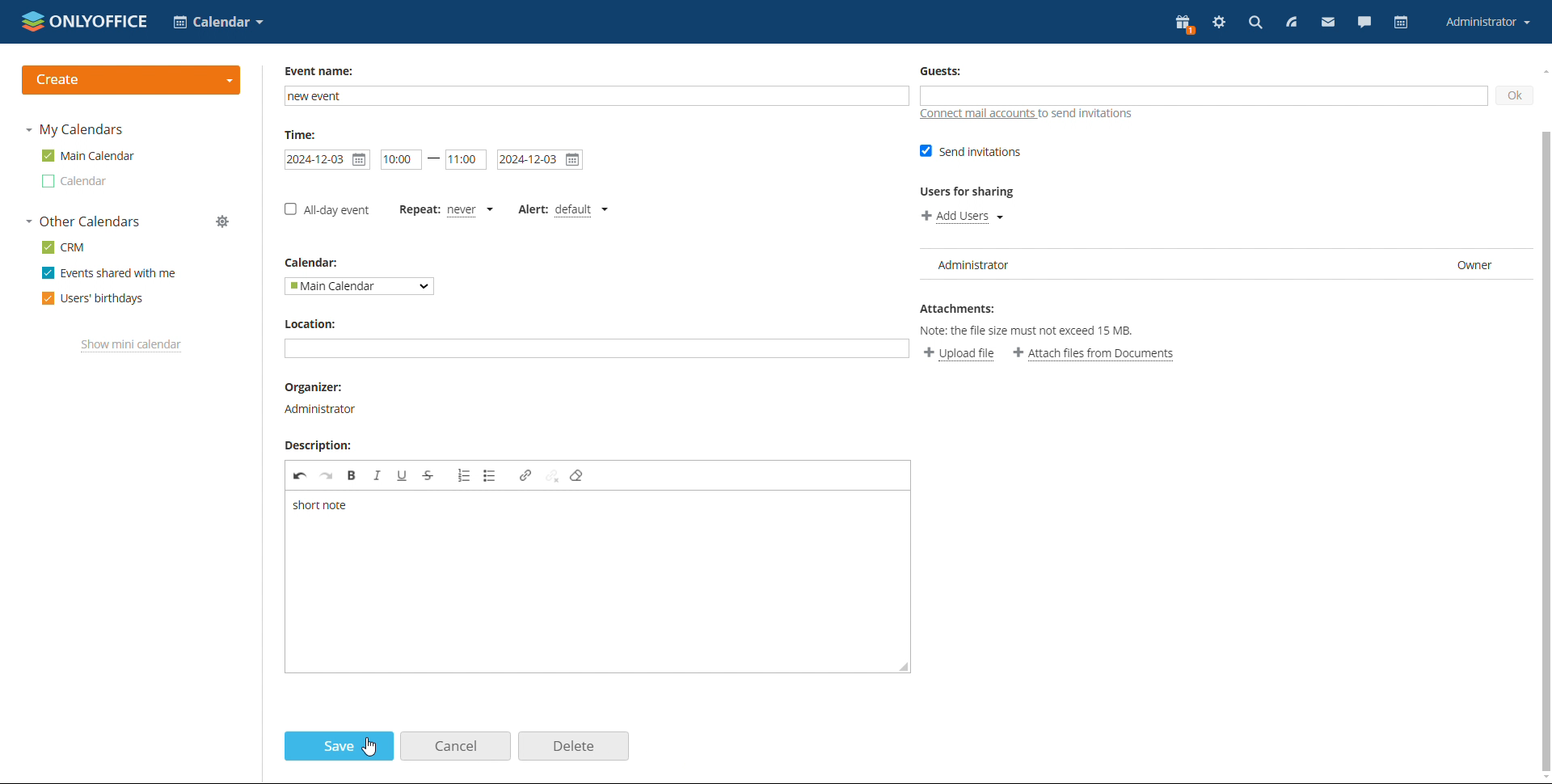 Image resolution: width=1552 pixels, height=784 pixels. Describe the element at coordinates (93, 299) in the screenshot. I see `users' birthdays` at that location.